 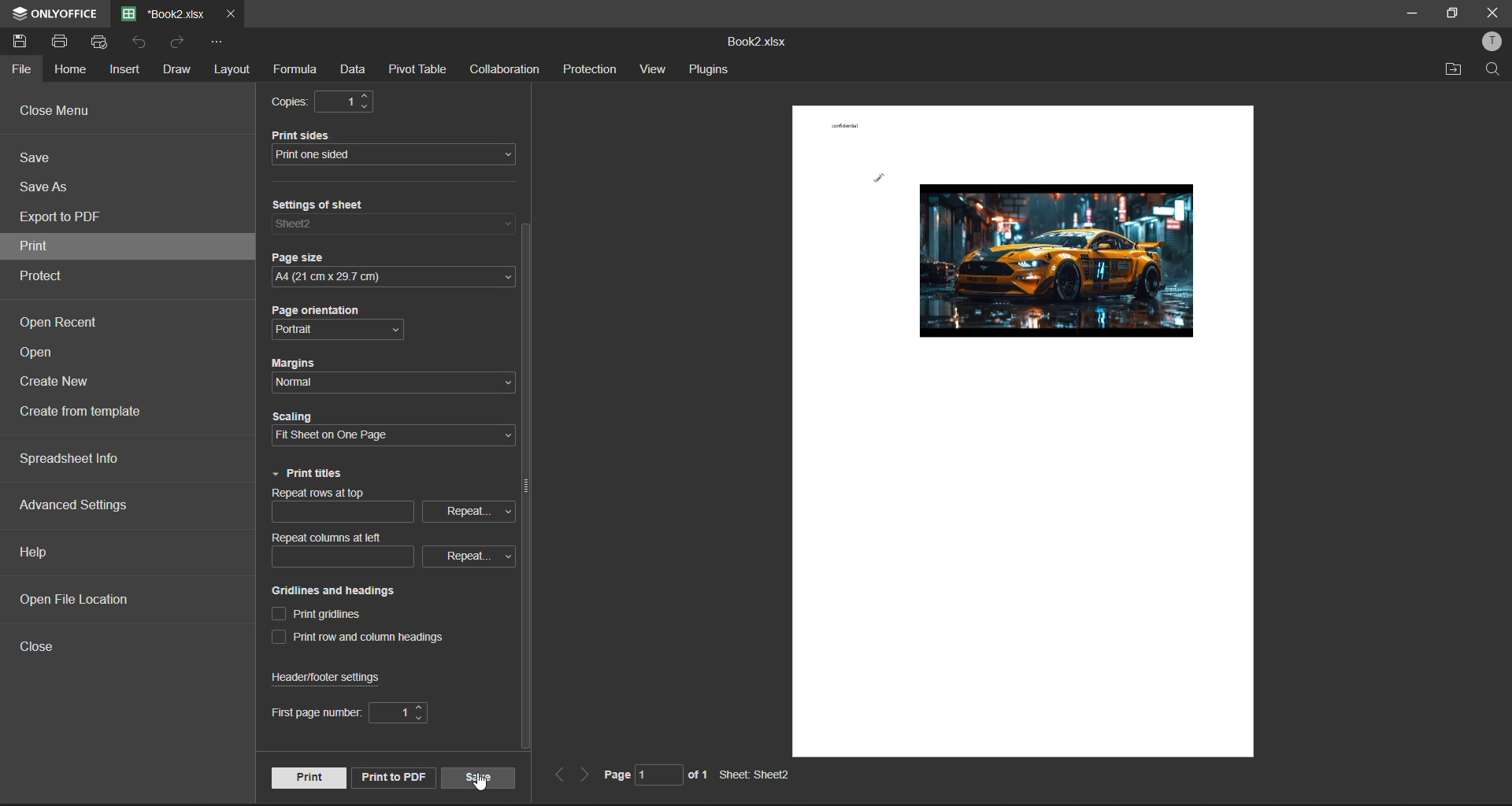 What do you see at coordinates (476, 776) in the screenshot?
I see `save` at bounding box center [476, 776].